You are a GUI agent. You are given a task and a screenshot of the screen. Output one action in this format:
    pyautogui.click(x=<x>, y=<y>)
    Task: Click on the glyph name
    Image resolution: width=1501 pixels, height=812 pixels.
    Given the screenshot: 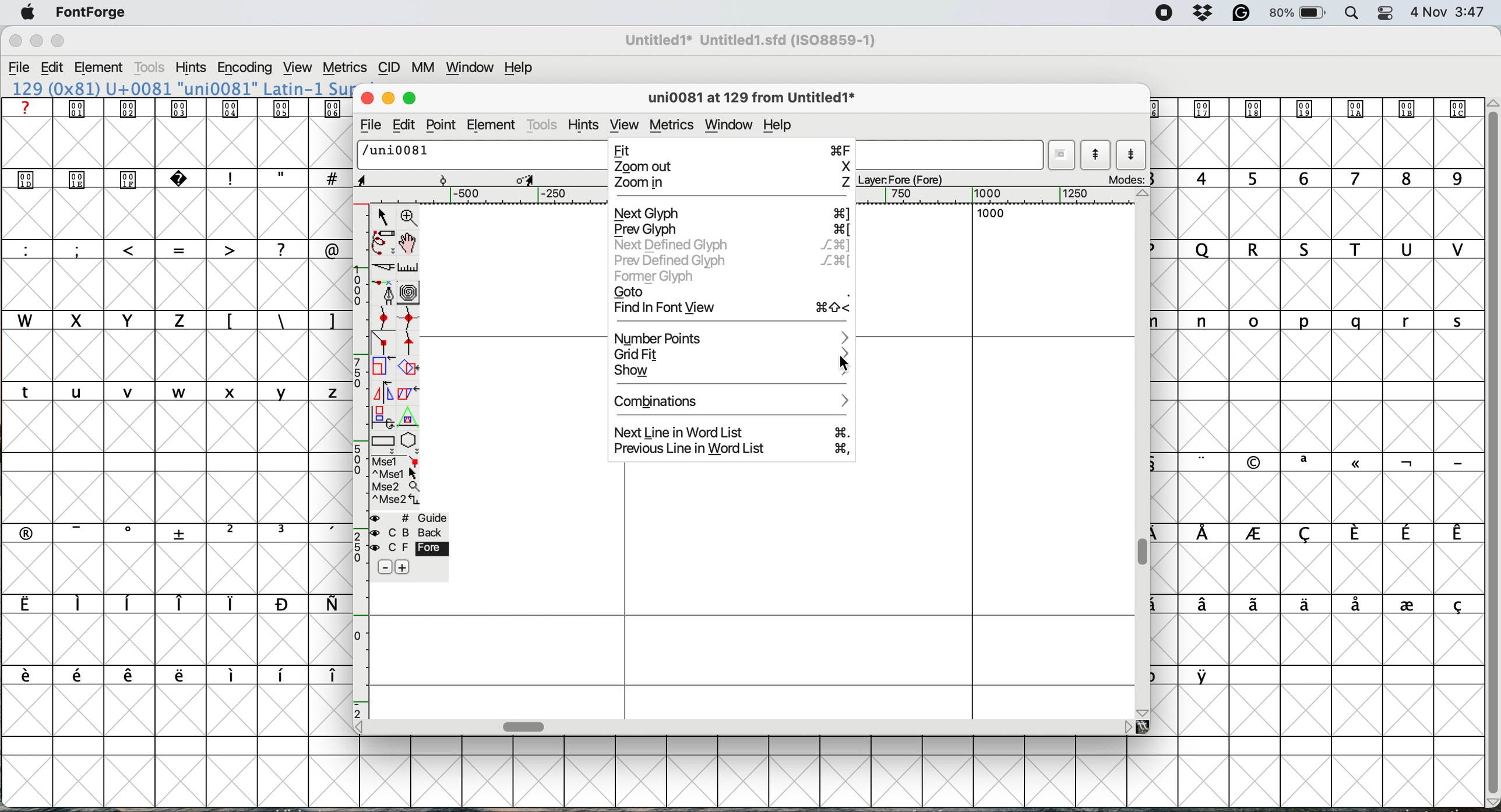 What is the action you would take?
    pyautogui.click(x=747, y=98)
    